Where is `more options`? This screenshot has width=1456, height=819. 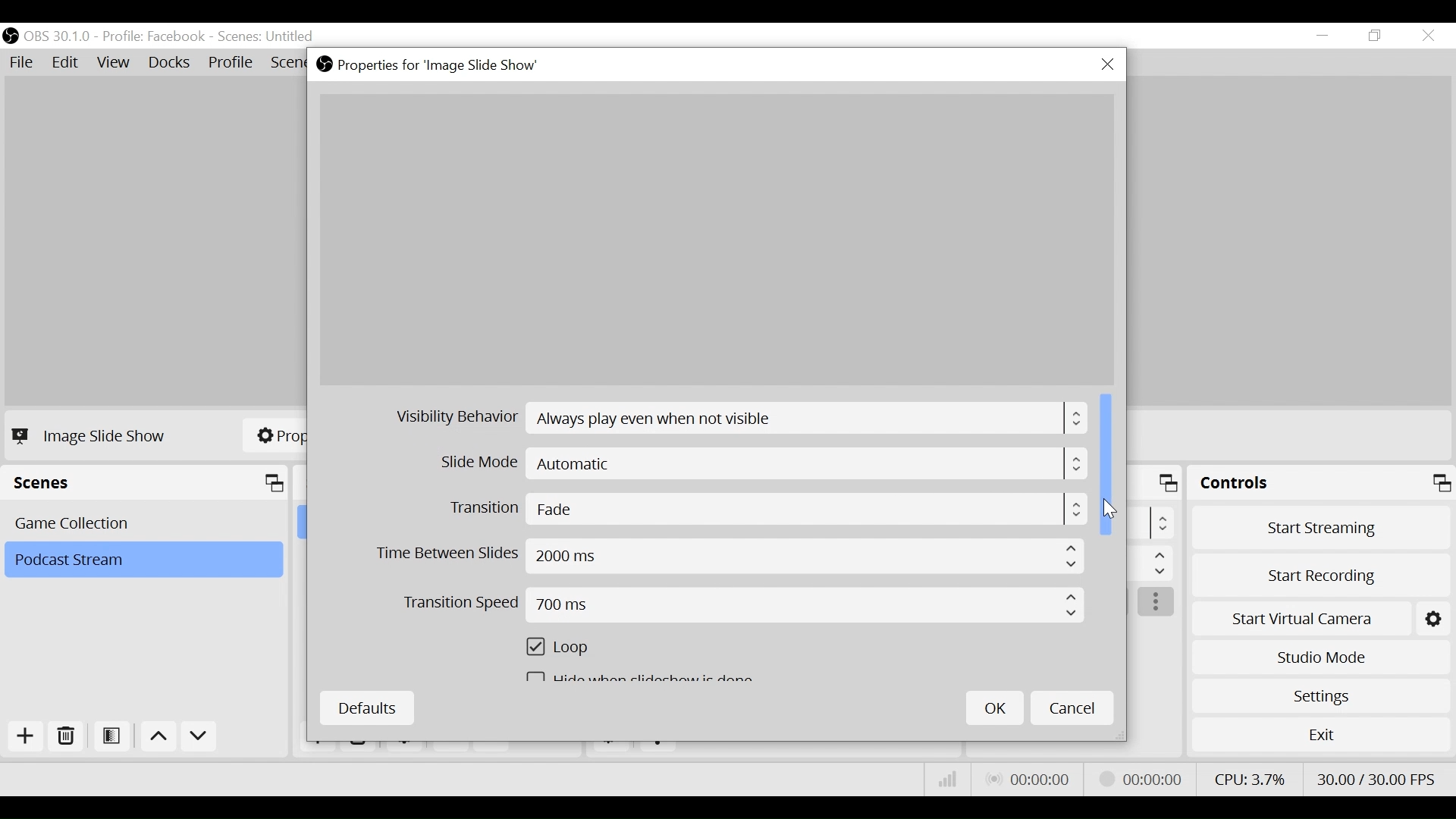
more options is located at coordinates (1157, 603).